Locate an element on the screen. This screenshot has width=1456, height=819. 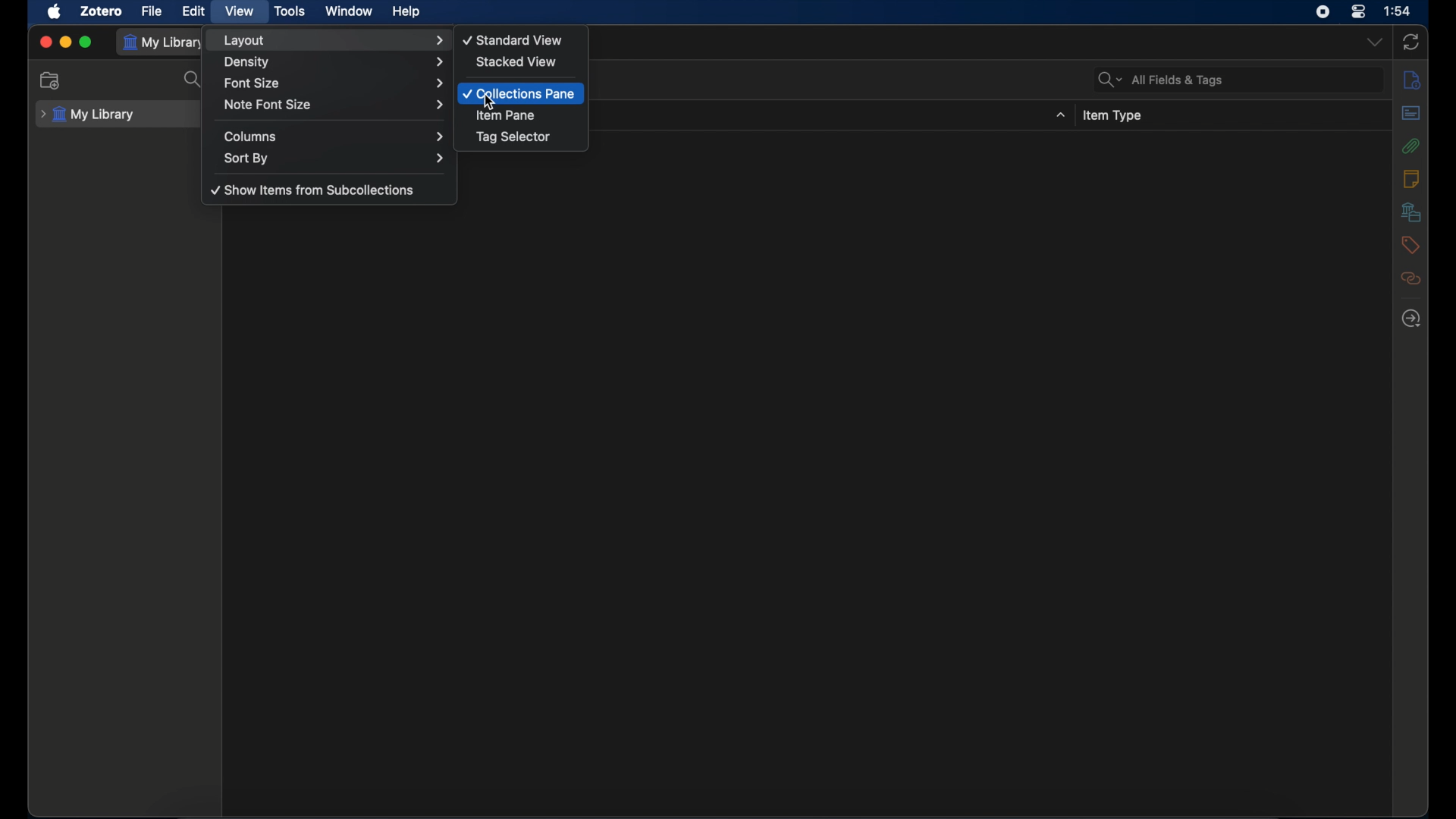
layout is located at coordinates (336, 40).